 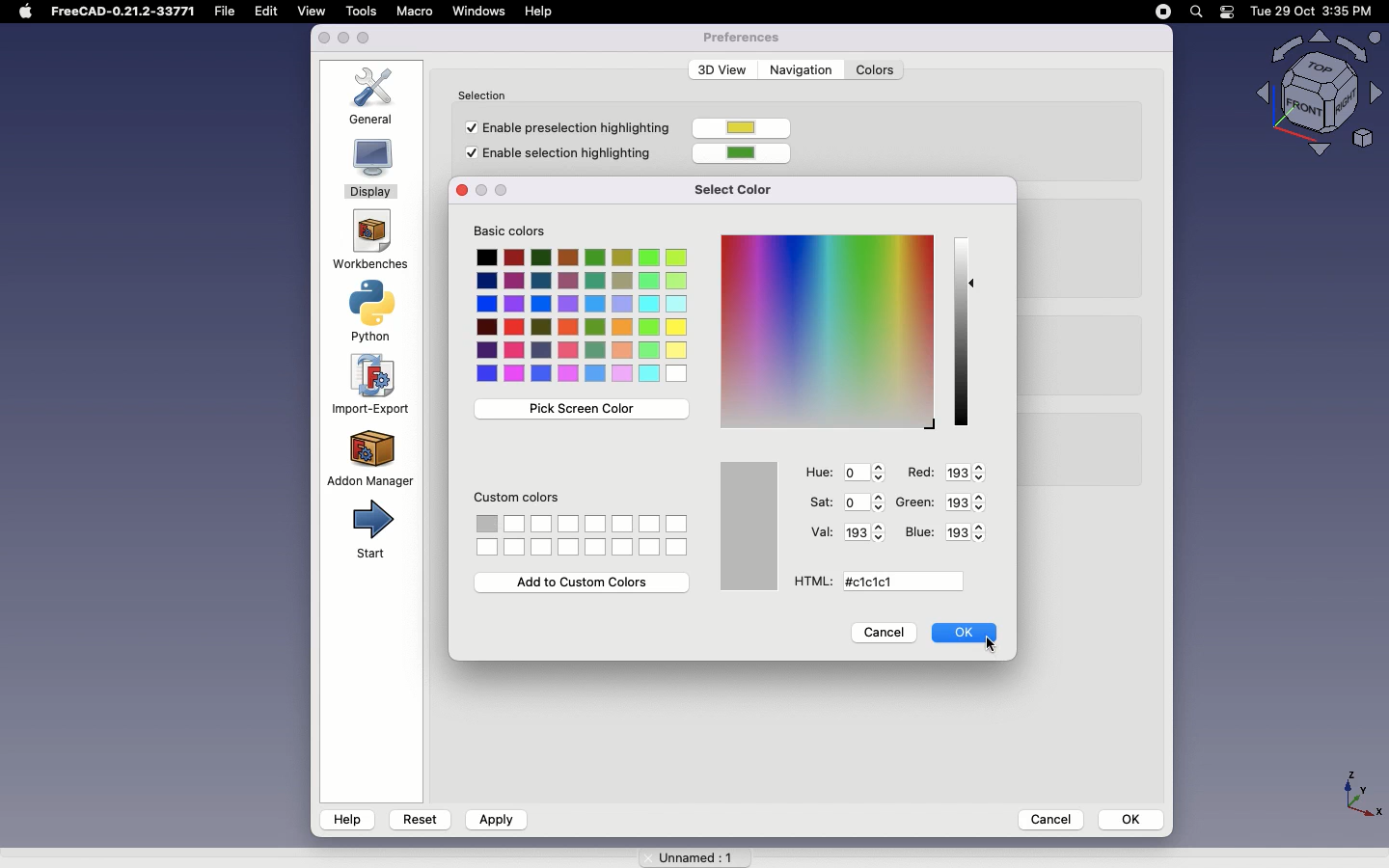 What do you see at coordinates (521, 232) in the screenshot?
I see `Basic colors` at bounding box center [521, 232].